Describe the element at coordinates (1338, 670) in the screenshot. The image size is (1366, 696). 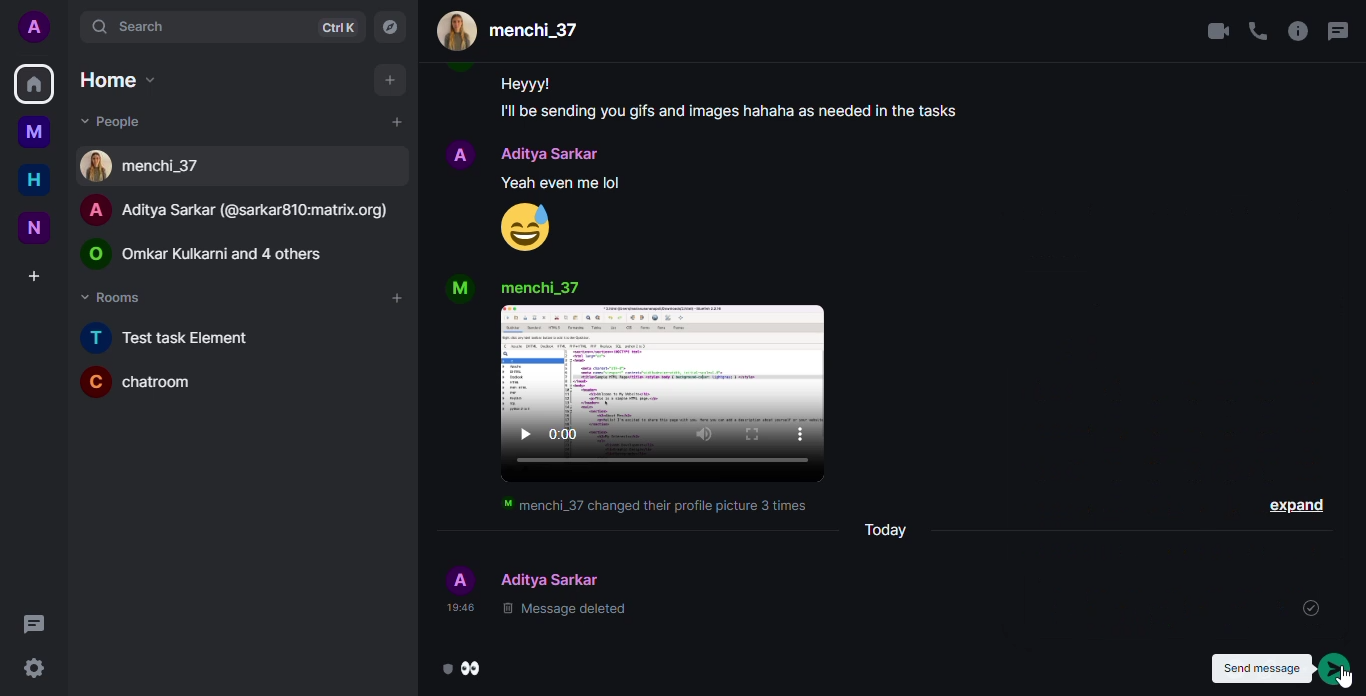
I see `send` at that location.